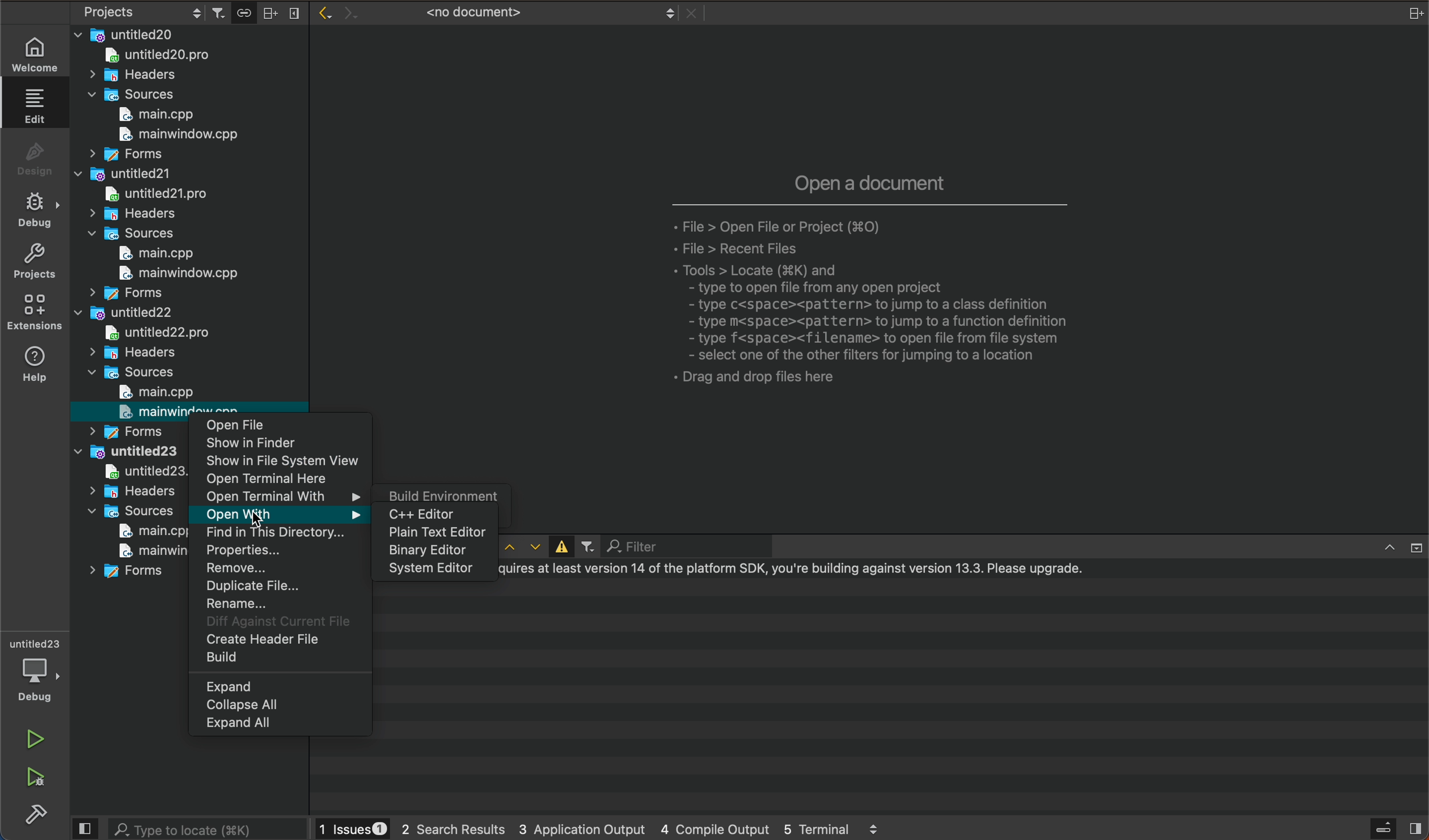  Describe the element at coordinates (132, 491) in the screenshot. I see `headers` at that location.